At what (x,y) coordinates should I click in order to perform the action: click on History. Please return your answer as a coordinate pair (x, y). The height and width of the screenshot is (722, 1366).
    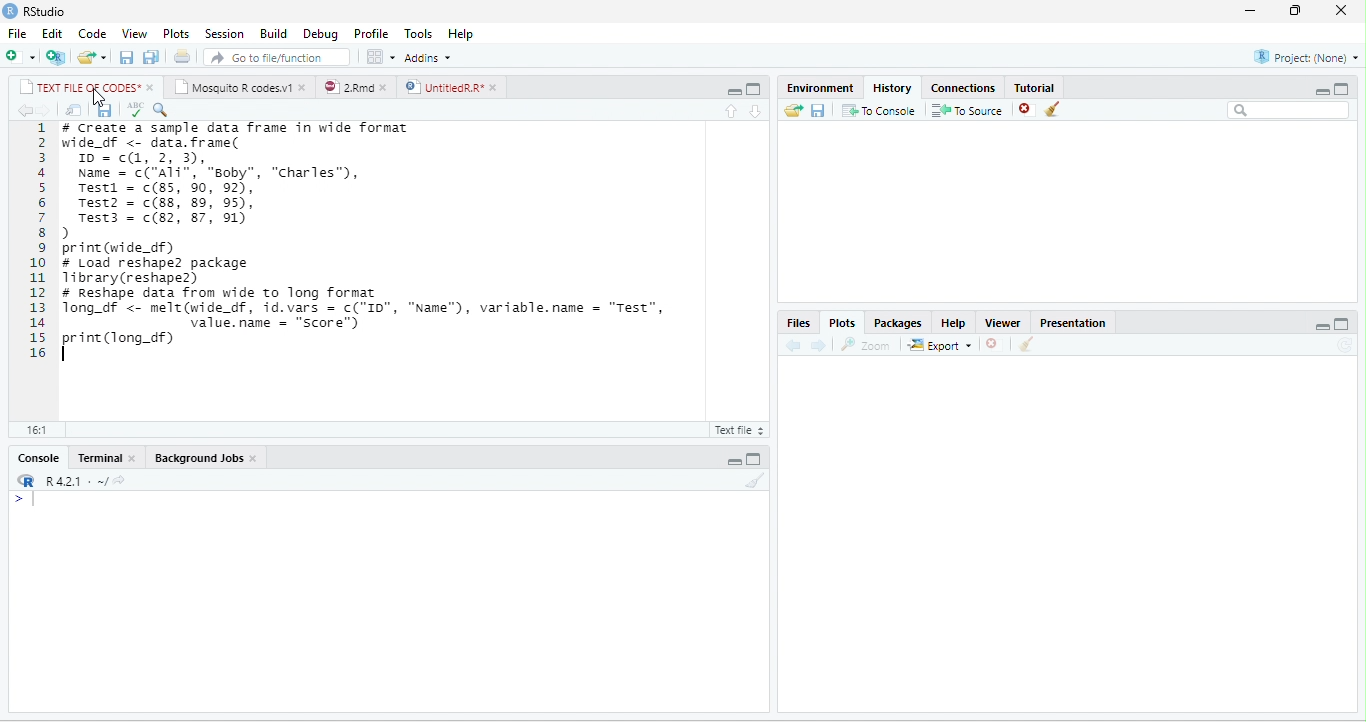
    Looking at the image, I should click on (892, 88).